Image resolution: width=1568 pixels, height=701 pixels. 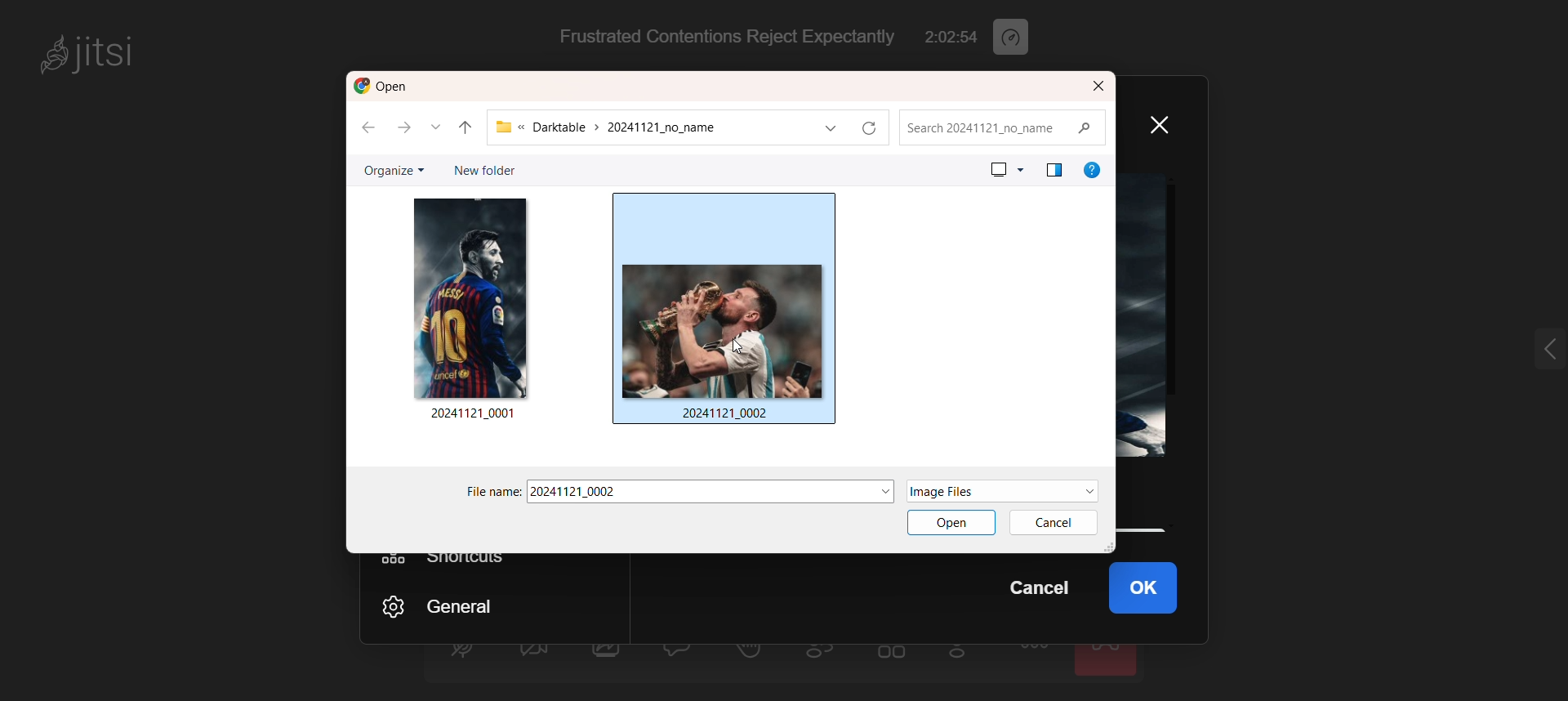 What do you see at coordinates (490, 493) in the screenshot?
I see `file name` at bounding box center [490, 493].